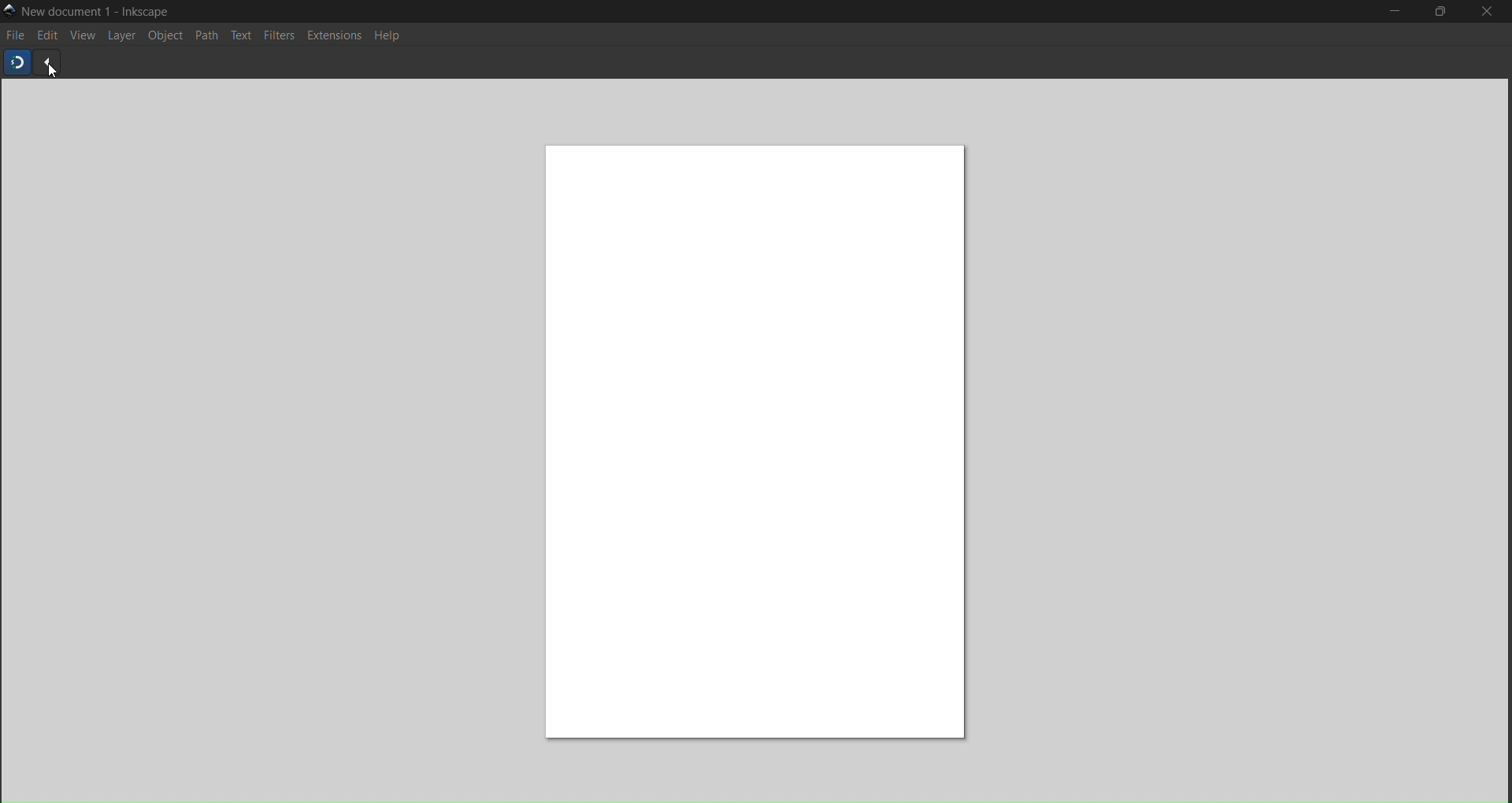 This screenshot has height=803, width=1512. Describe the element at coordinates (16, 35) in the screenshot. I see `File` at that location.